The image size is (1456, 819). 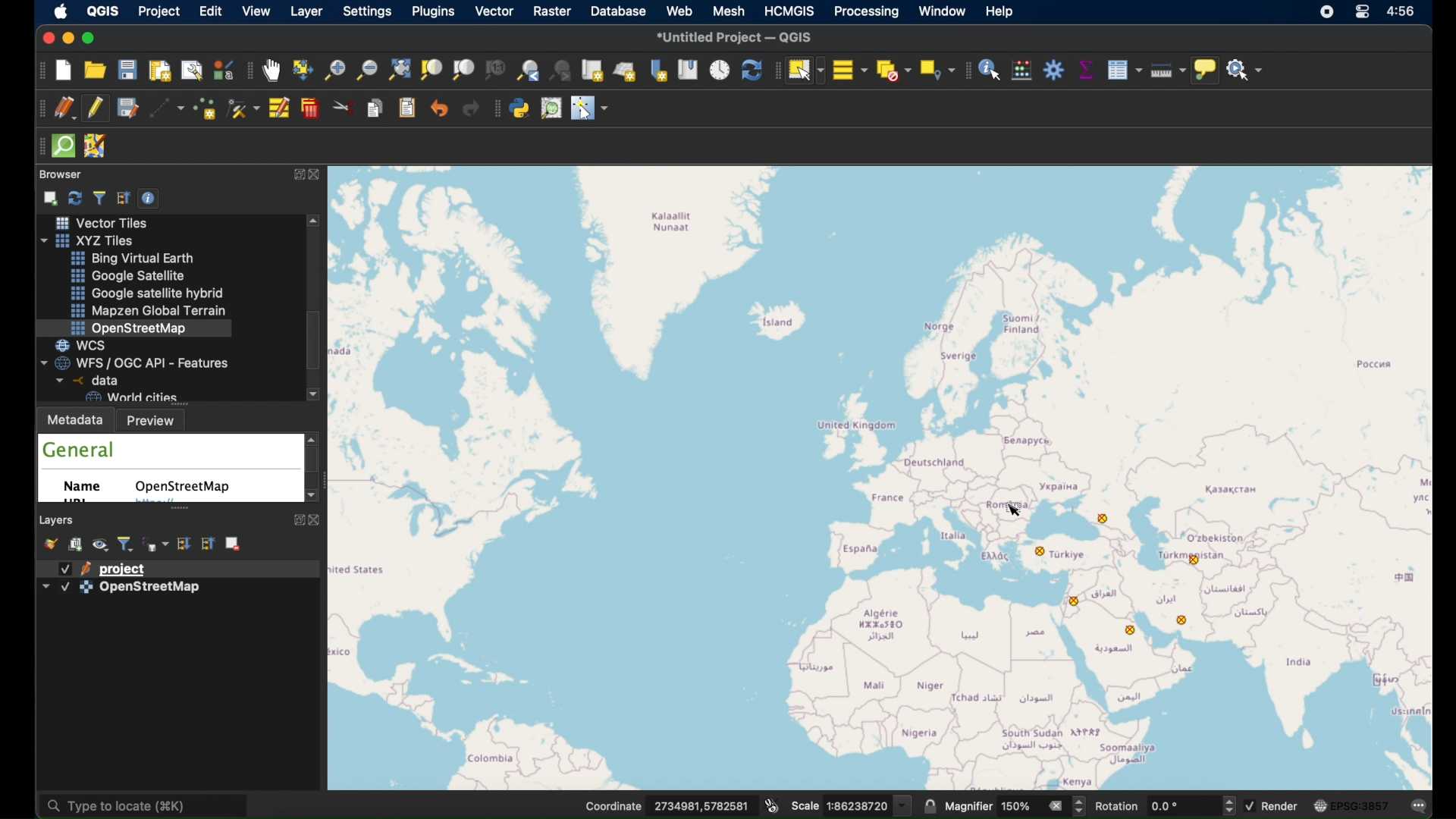 I want to click on manage map themes, so click(x=102, y=546).